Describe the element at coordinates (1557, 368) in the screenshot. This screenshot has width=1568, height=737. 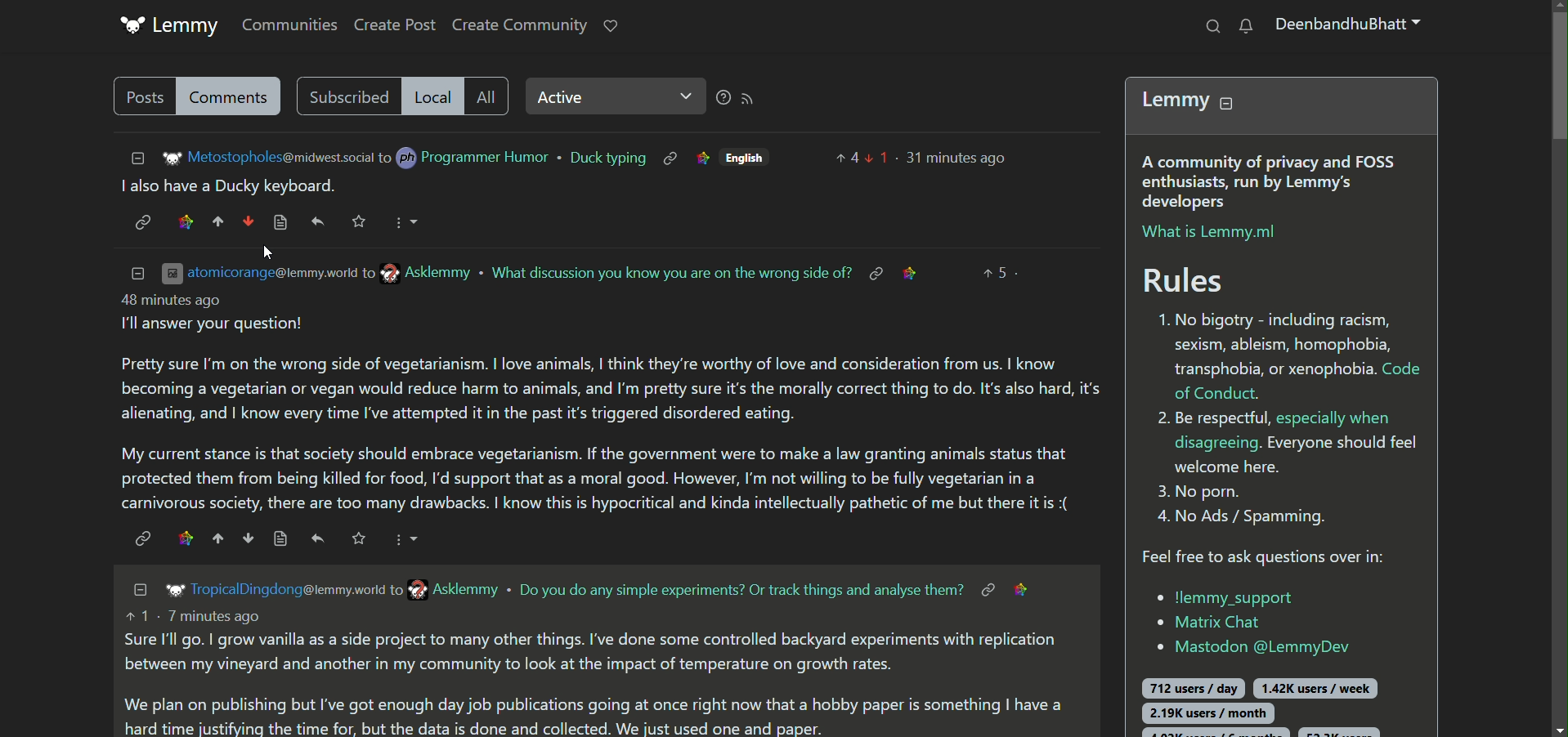
I see `vertical scrollbar` at that location.